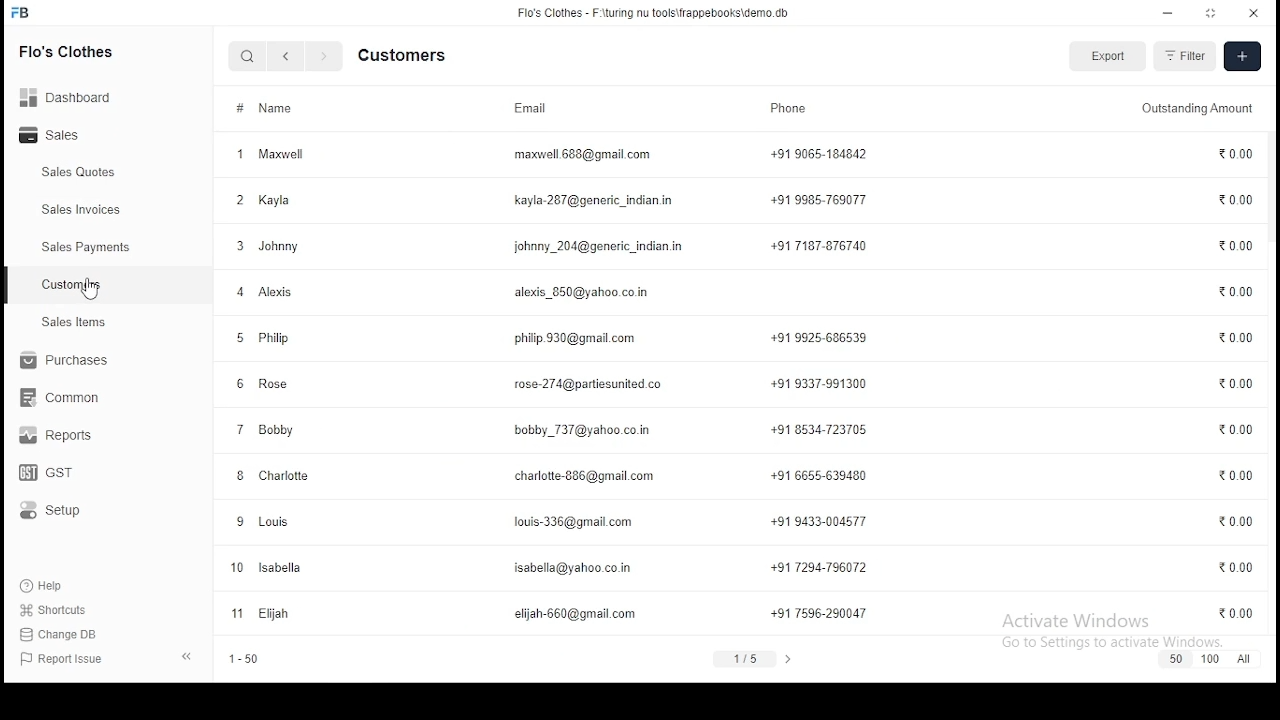  What do you see at coordinates (61, 397) in the screenshot?
I see `common` at bounding box center [61, 397].